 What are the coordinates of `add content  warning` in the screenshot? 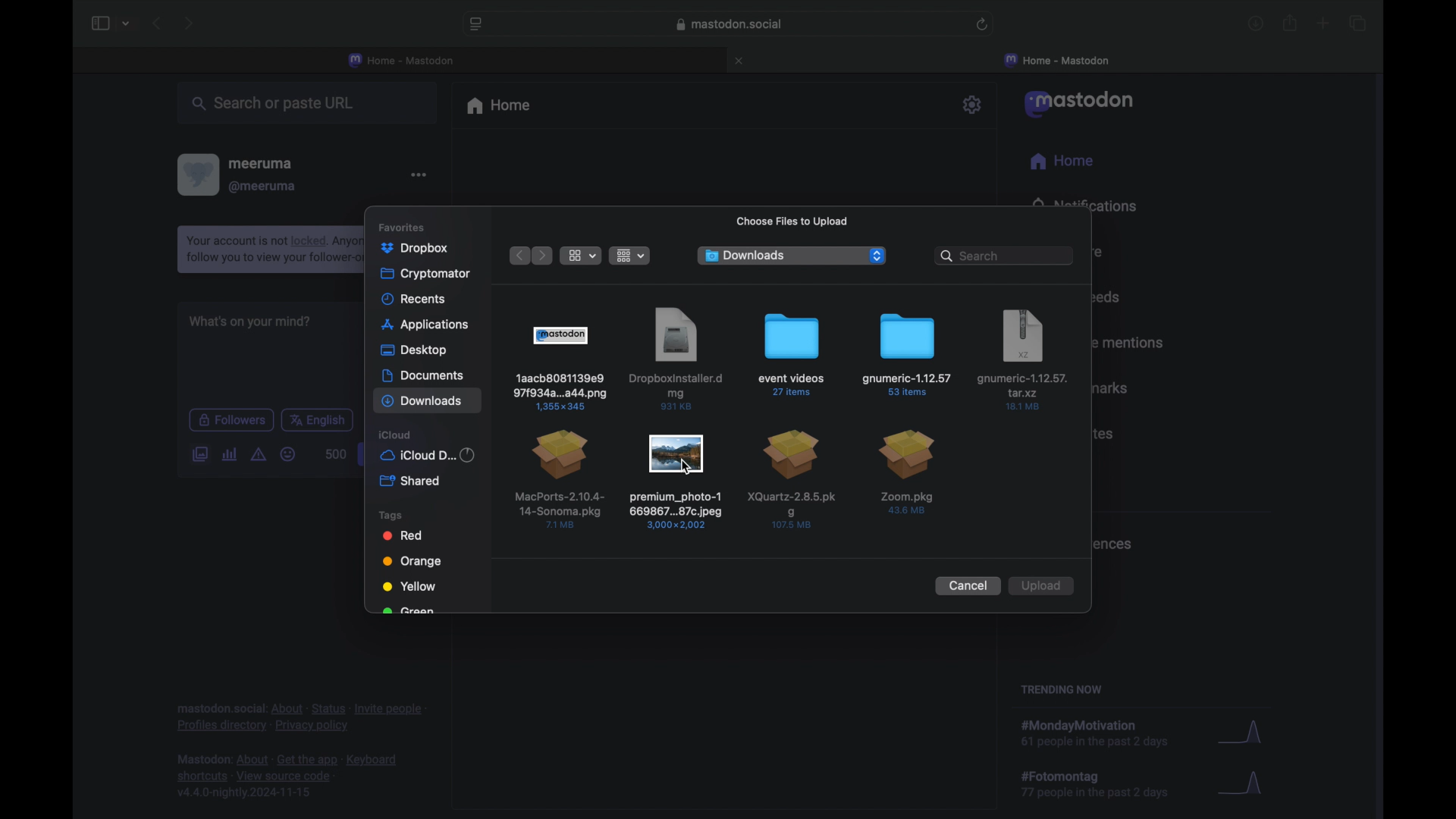 It's located at (258, 453).